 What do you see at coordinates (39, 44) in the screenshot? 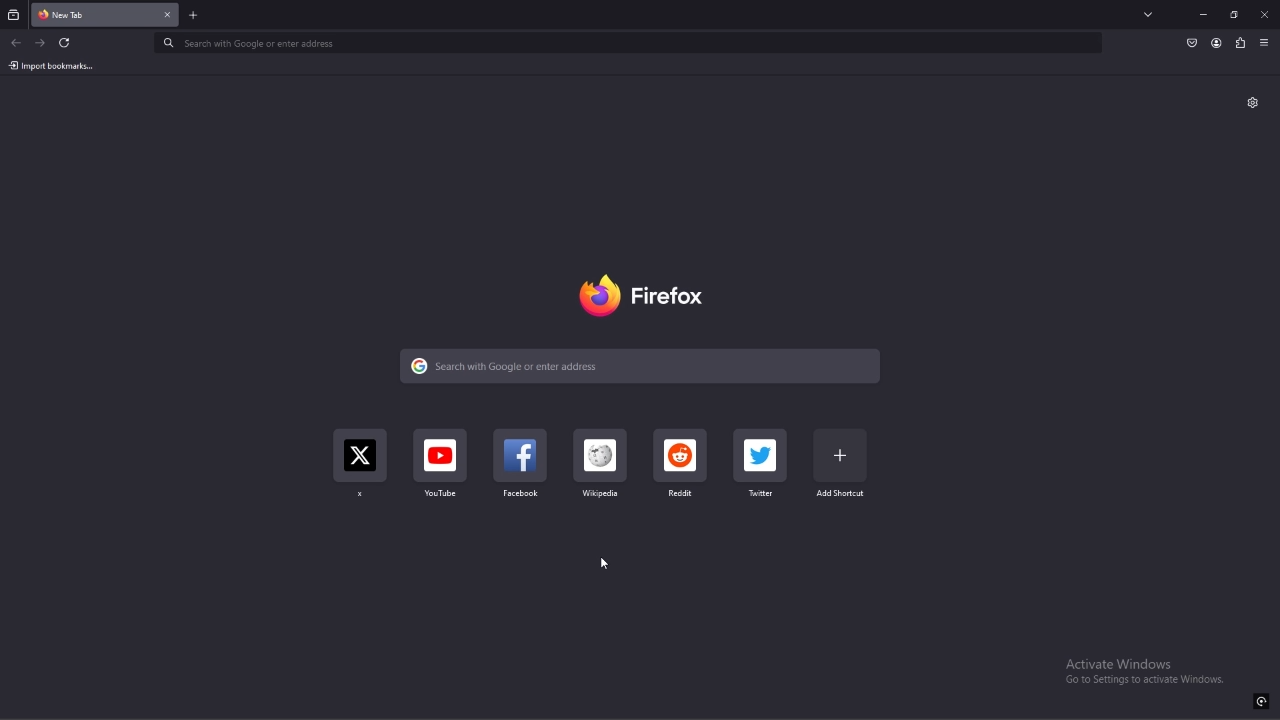
I see `forward` at bounding box center [39, 44].